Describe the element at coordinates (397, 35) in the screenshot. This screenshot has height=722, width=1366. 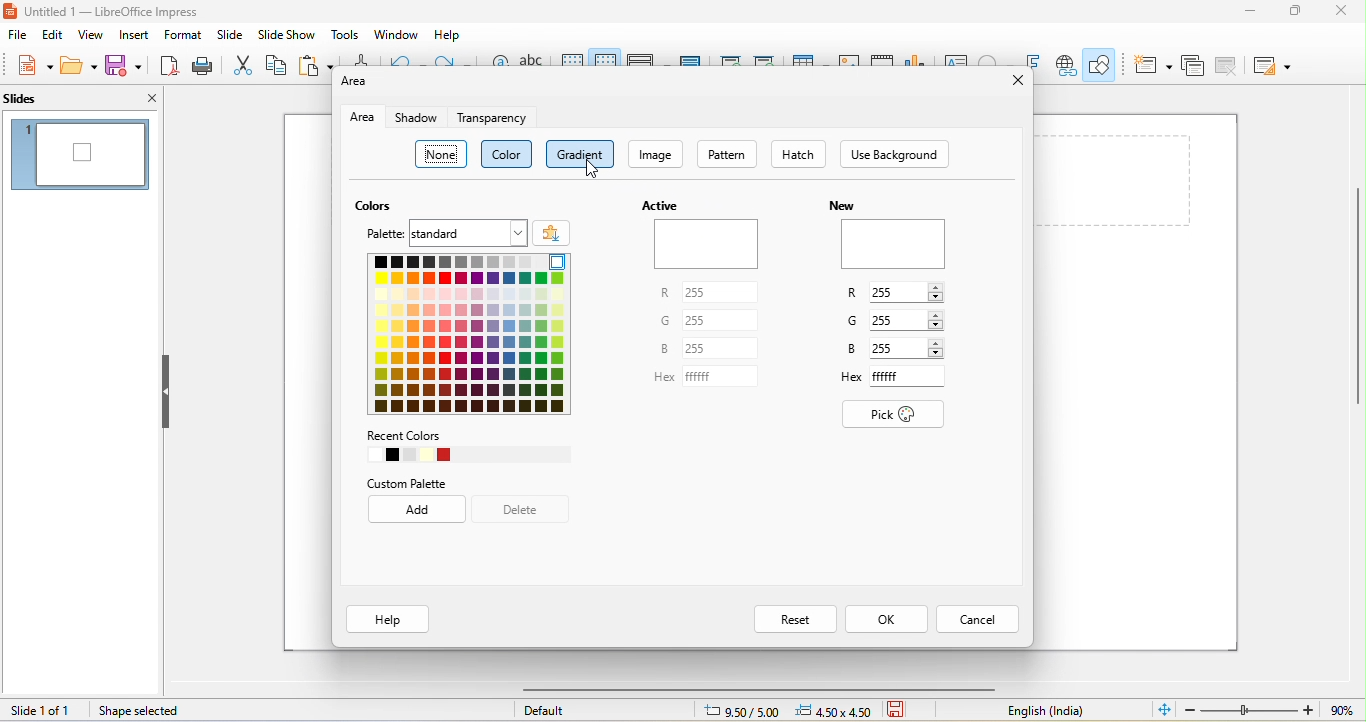
I see `window` at that location.